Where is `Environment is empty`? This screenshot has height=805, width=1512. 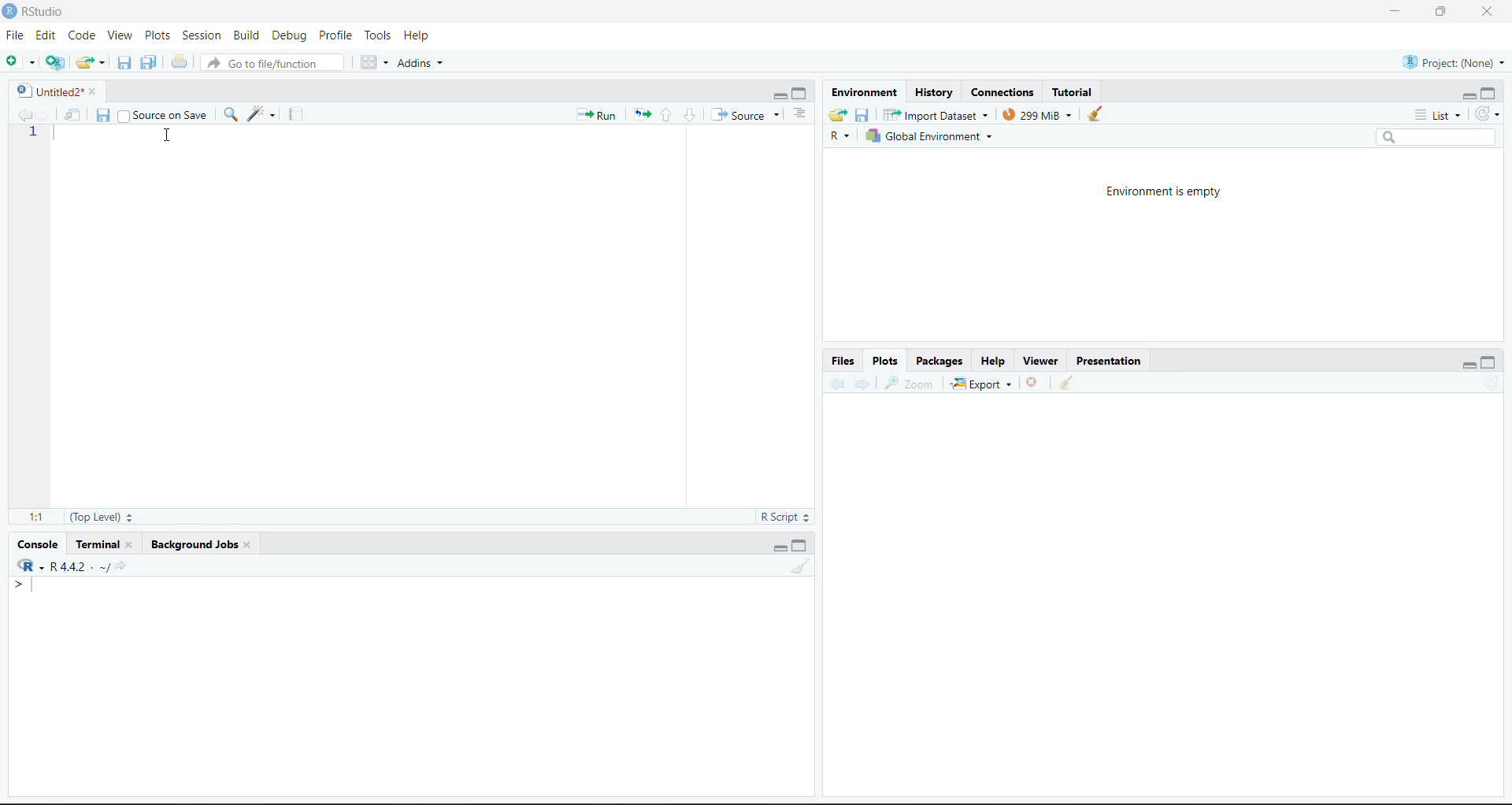 Environment is empty is located at coordinates (1163, 193).